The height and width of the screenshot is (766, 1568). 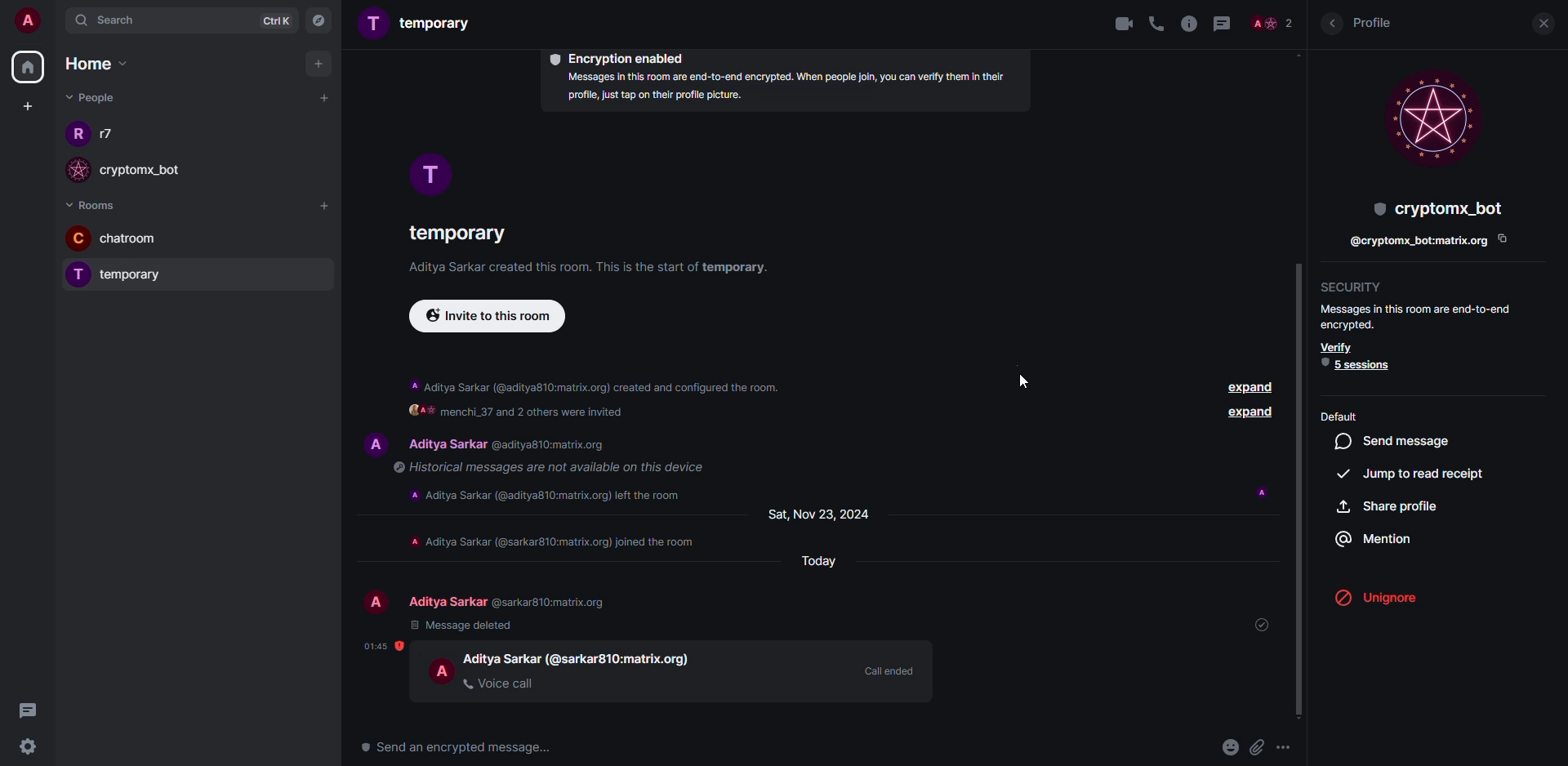 I want to click on scrollbar, so click(x=1302, y=488).